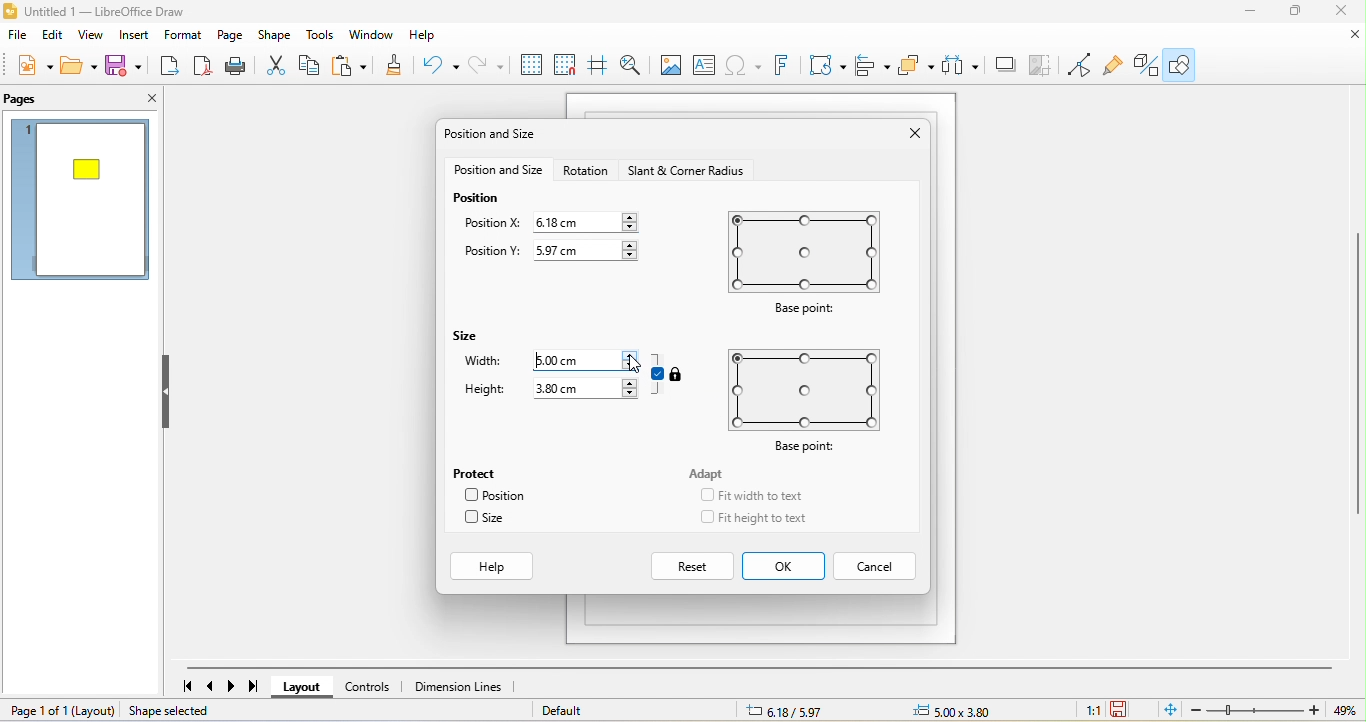 The image size is (1366, 722). What do you see at coordinates (1045, 64) in the screenshot?
I see `crop image` at bounding box center [1045, 64].